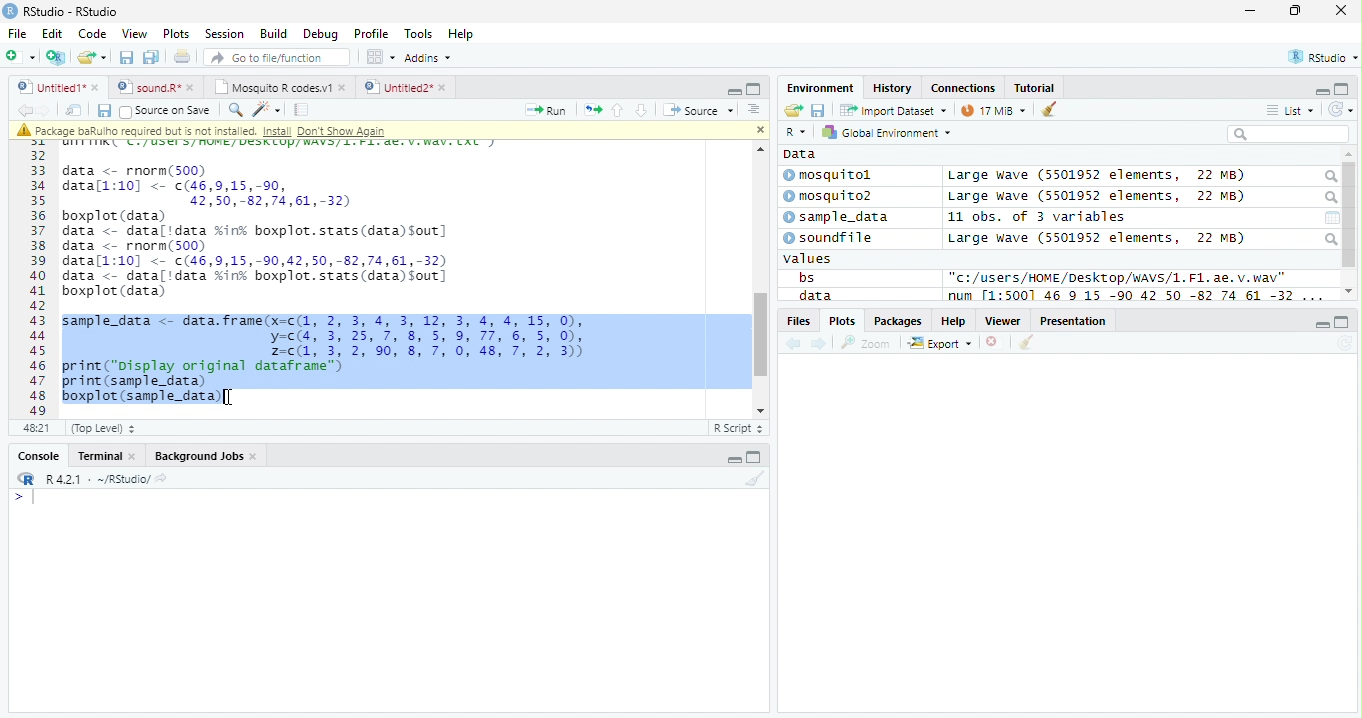  I want to click on File, so click(18, 34).